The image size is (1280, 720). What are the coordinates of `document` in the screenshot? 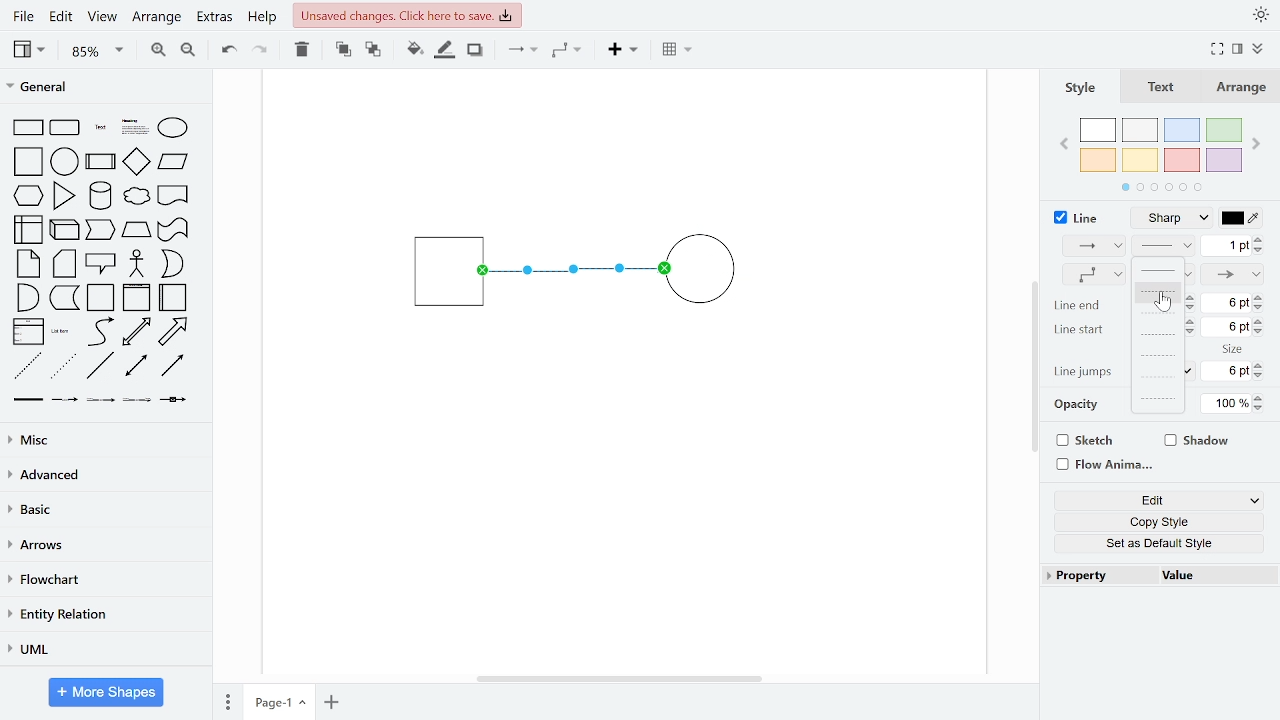 It's located at (174, 194).